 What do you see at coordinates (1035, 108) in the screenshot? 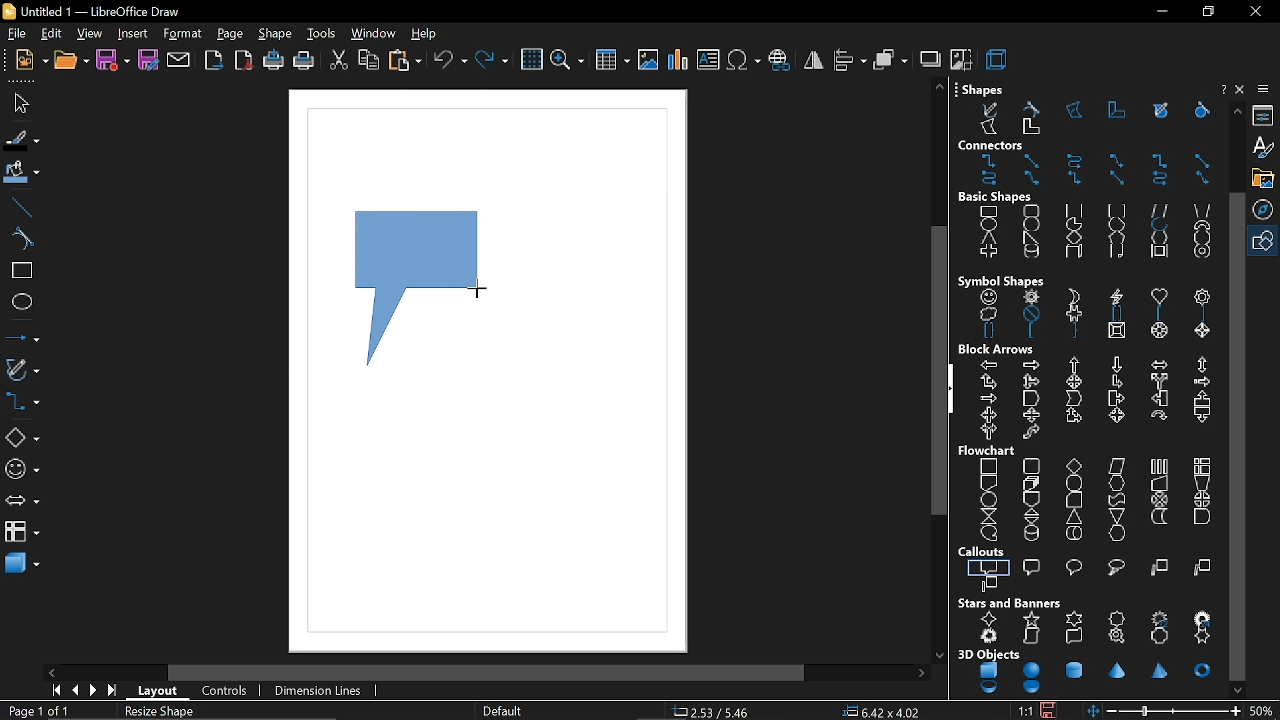
I see `curve` at bounding box center [1035, 108].